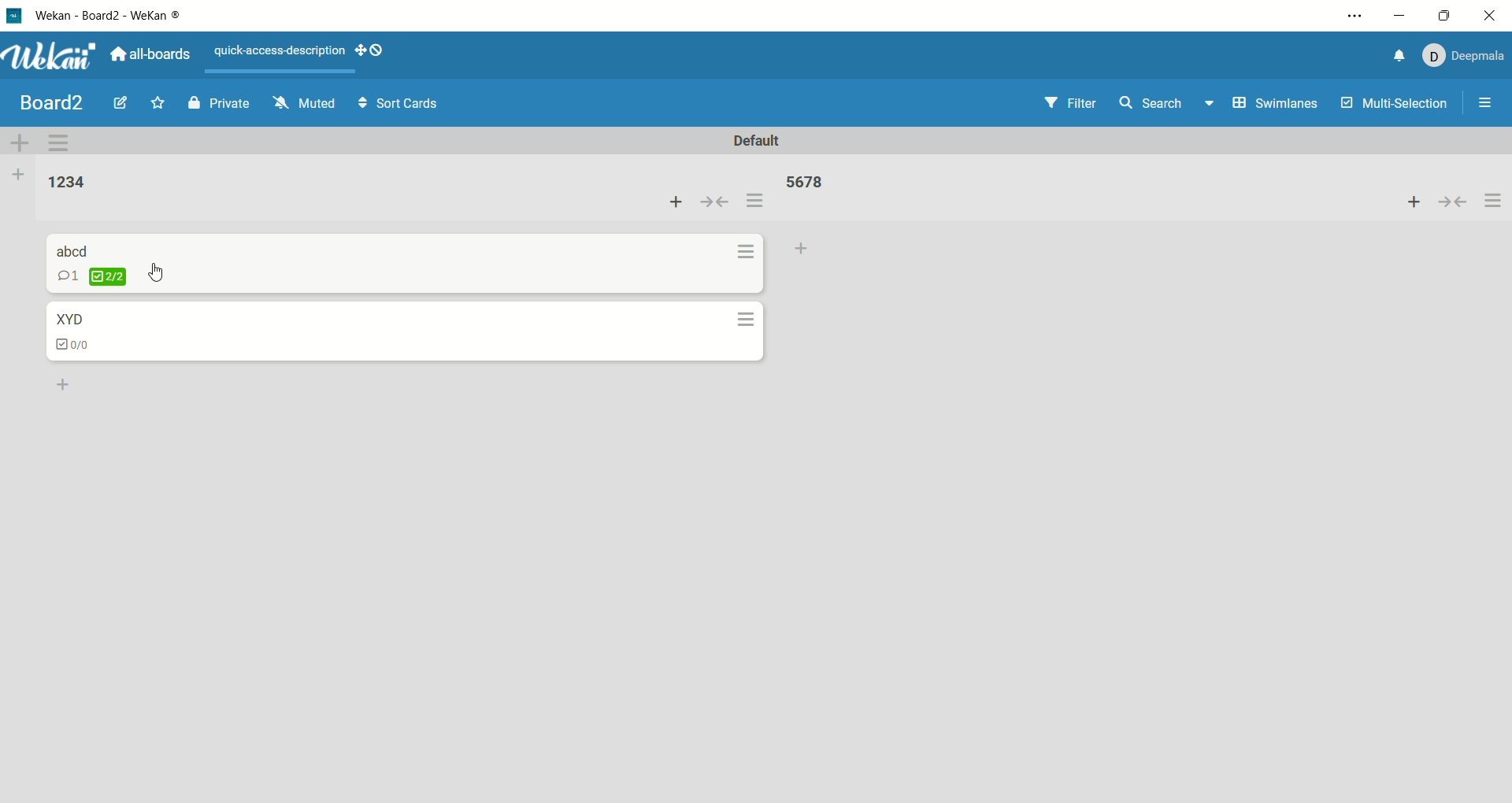 The height and width of the screenshot is (803, 1512). Describe the element at coordinates (1407, 202) in the screenshot. I see `add` at that location.